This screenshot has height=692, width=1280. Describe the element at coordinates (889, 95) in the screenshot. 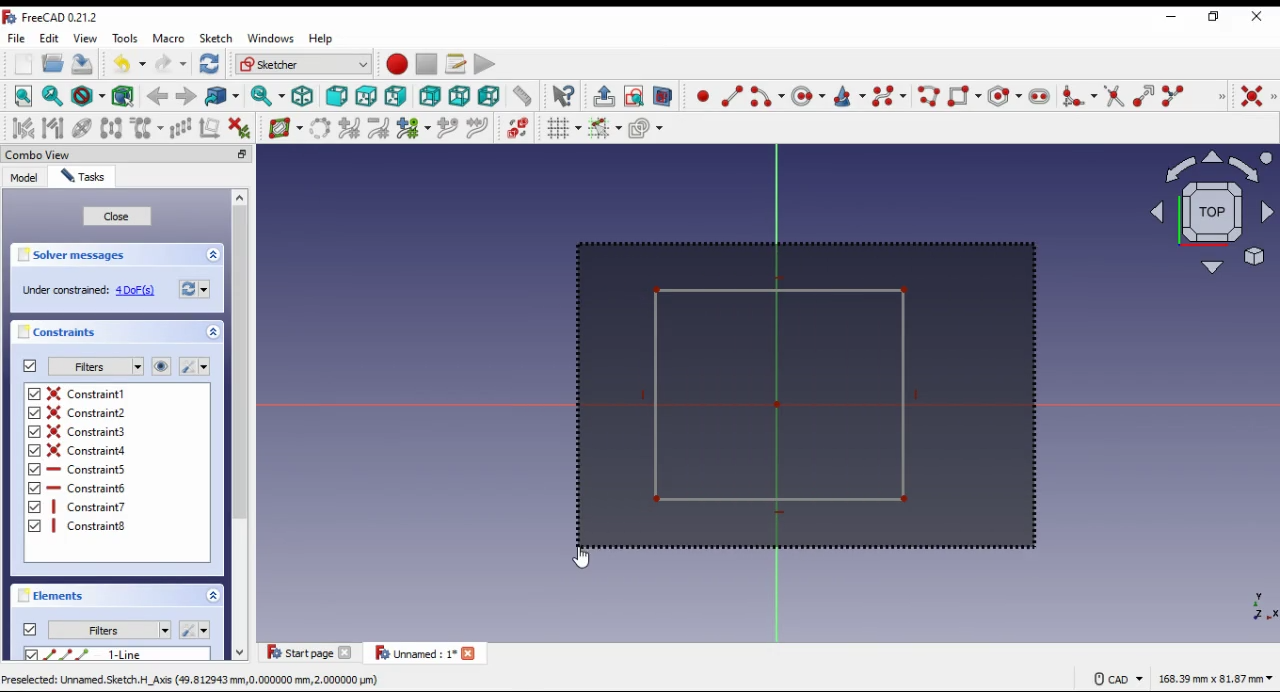

I see `create bspline` at that location.